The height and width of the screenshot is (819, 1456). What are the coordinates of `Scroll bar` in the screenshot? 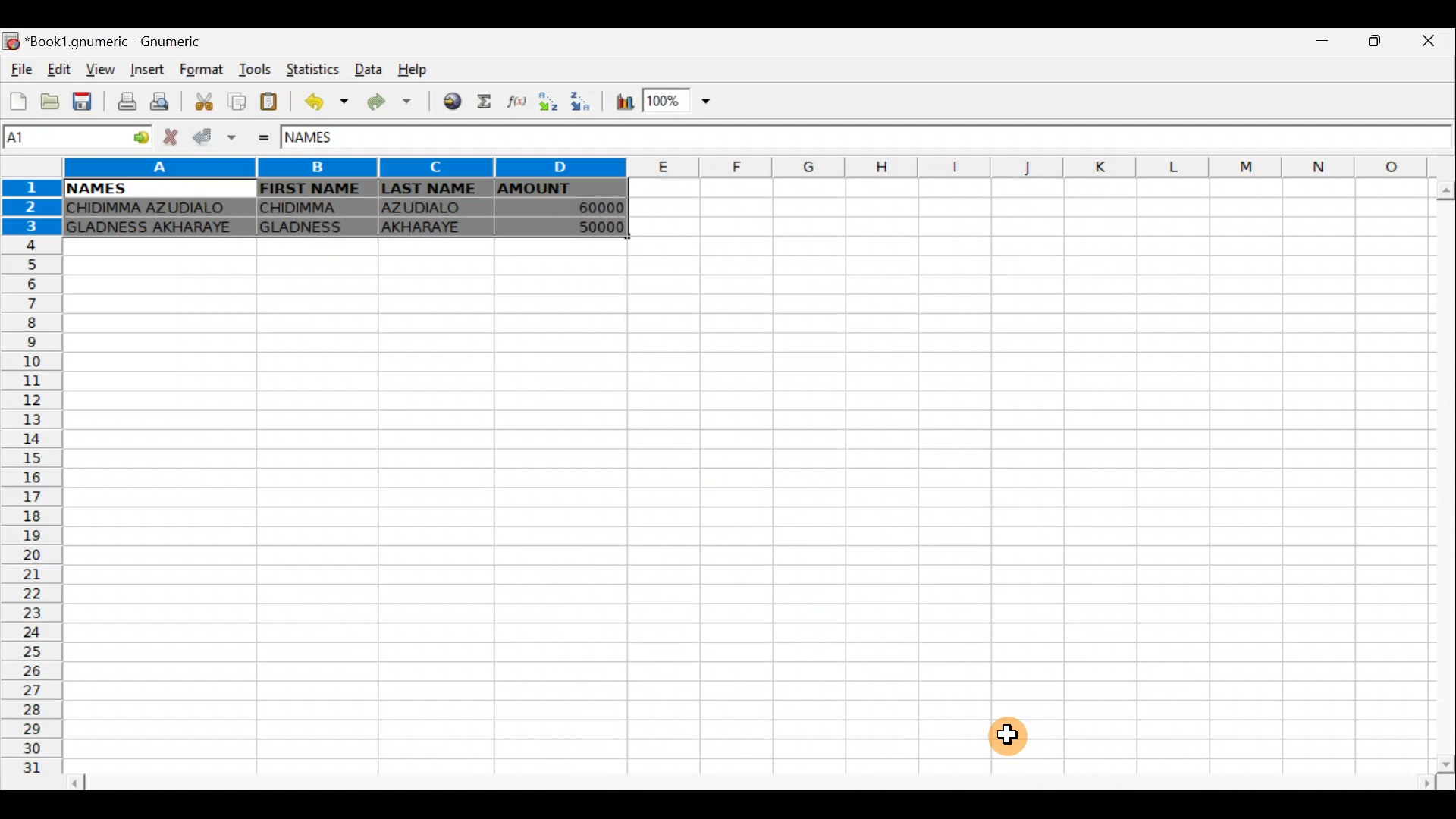 It's located at (1437, 475).